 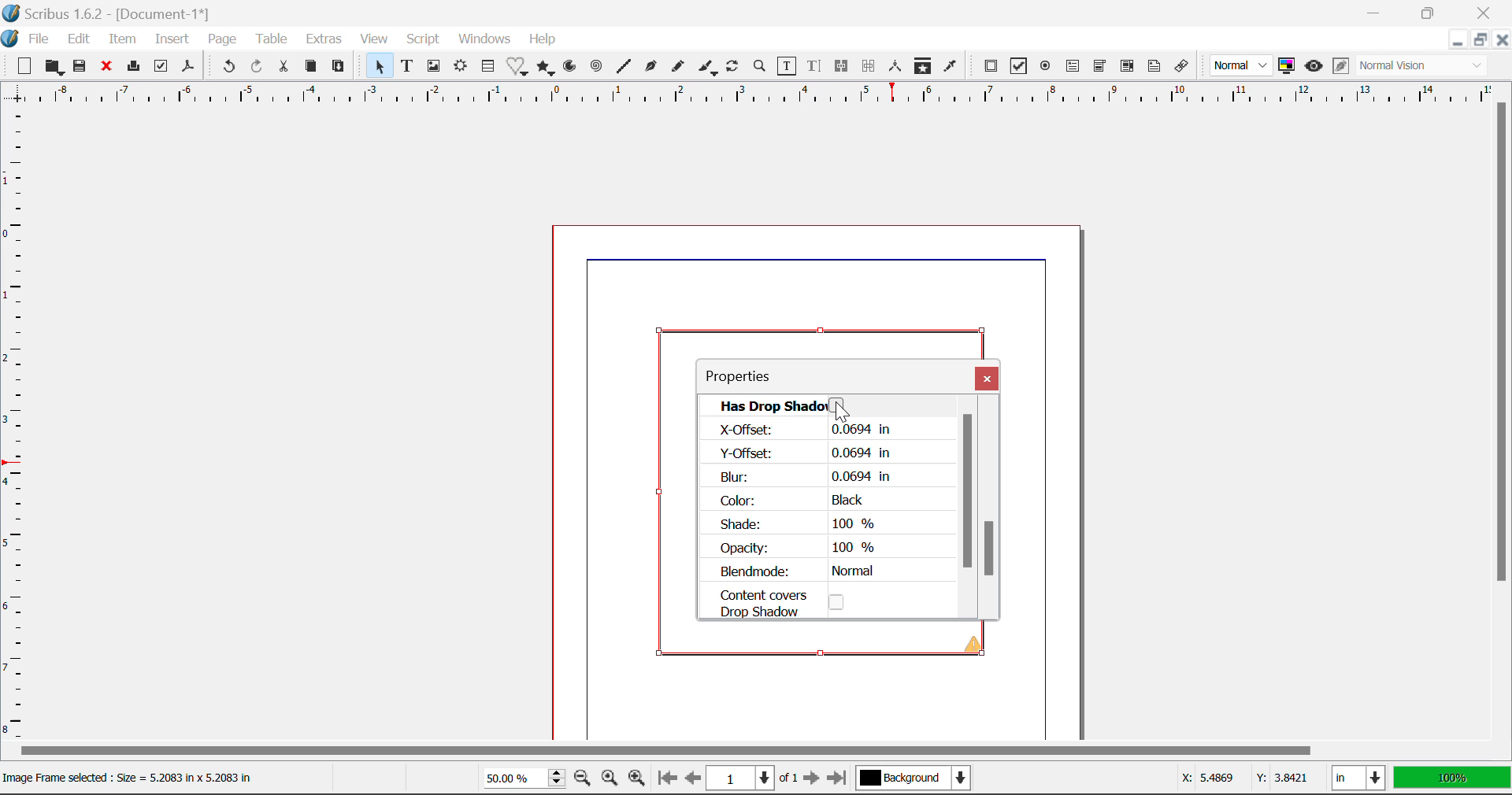 What do you see at coordinates (1502, 40) in the screenshot?
I see `Close` at bounding box center [1502, 40].